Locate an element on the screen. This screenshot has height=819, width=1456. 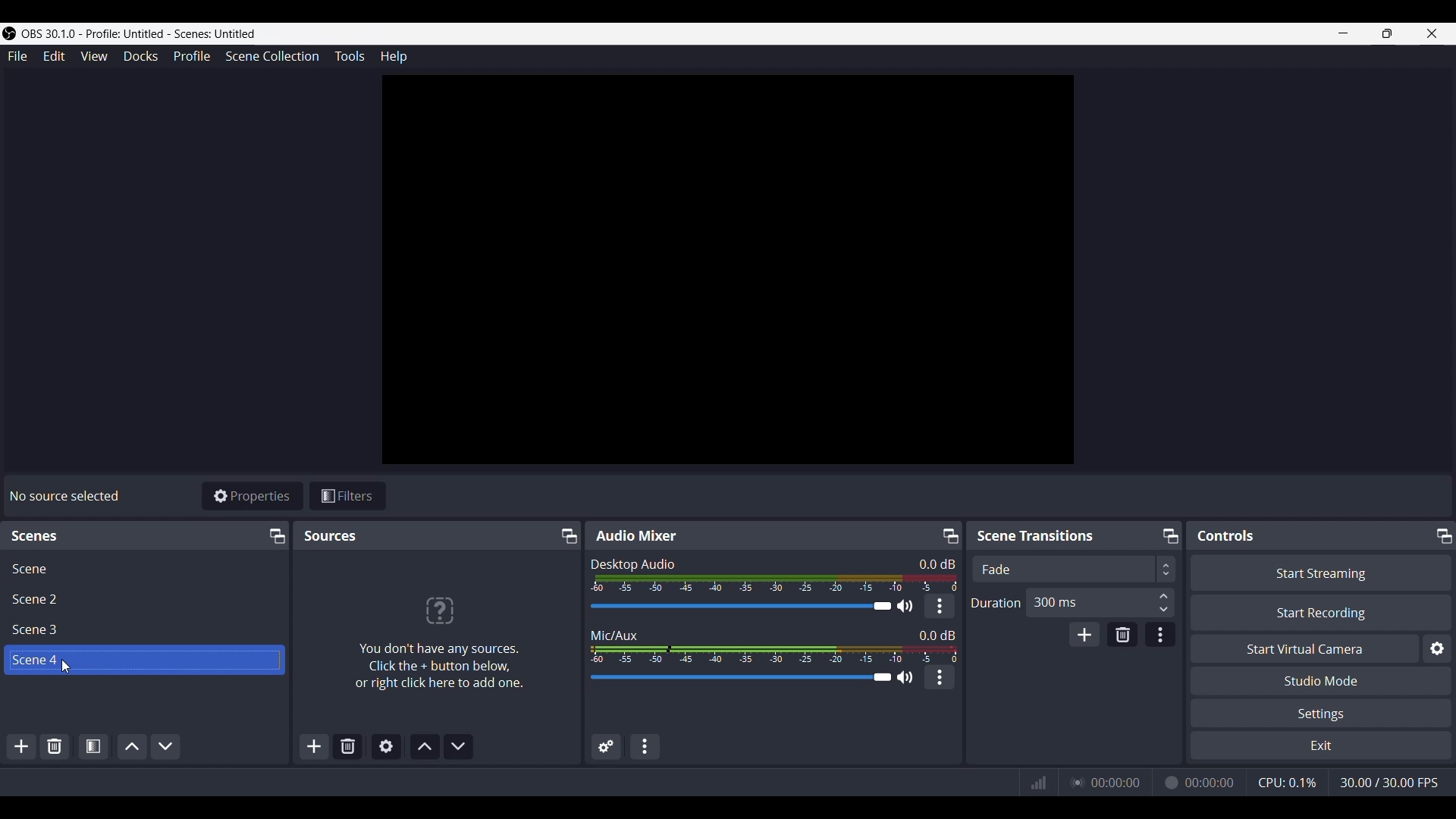
 Undock/Pop-out icon is located at coordinates (950, 535).